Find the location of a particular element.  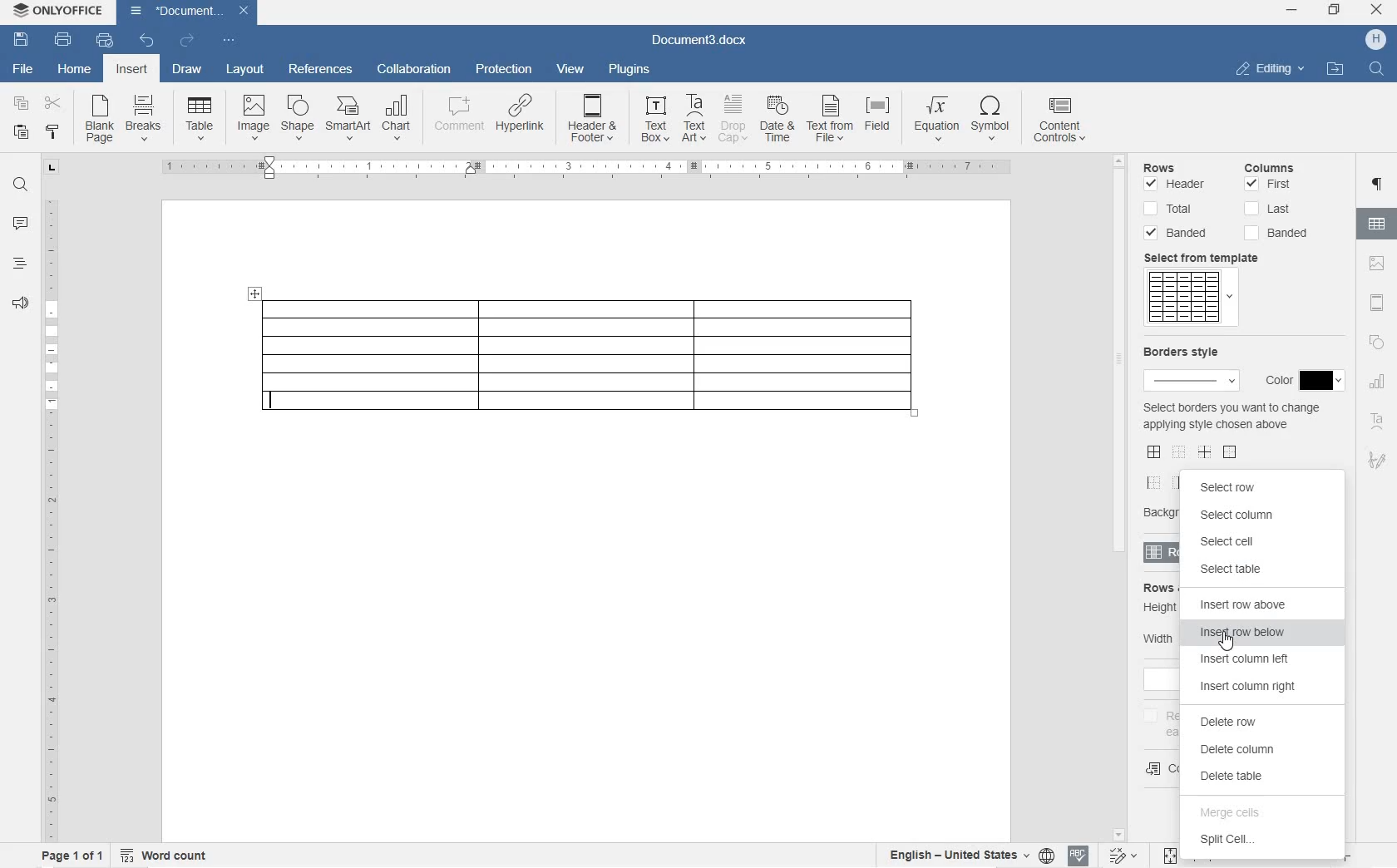

merge cells is located at coordinates (1240, 811).